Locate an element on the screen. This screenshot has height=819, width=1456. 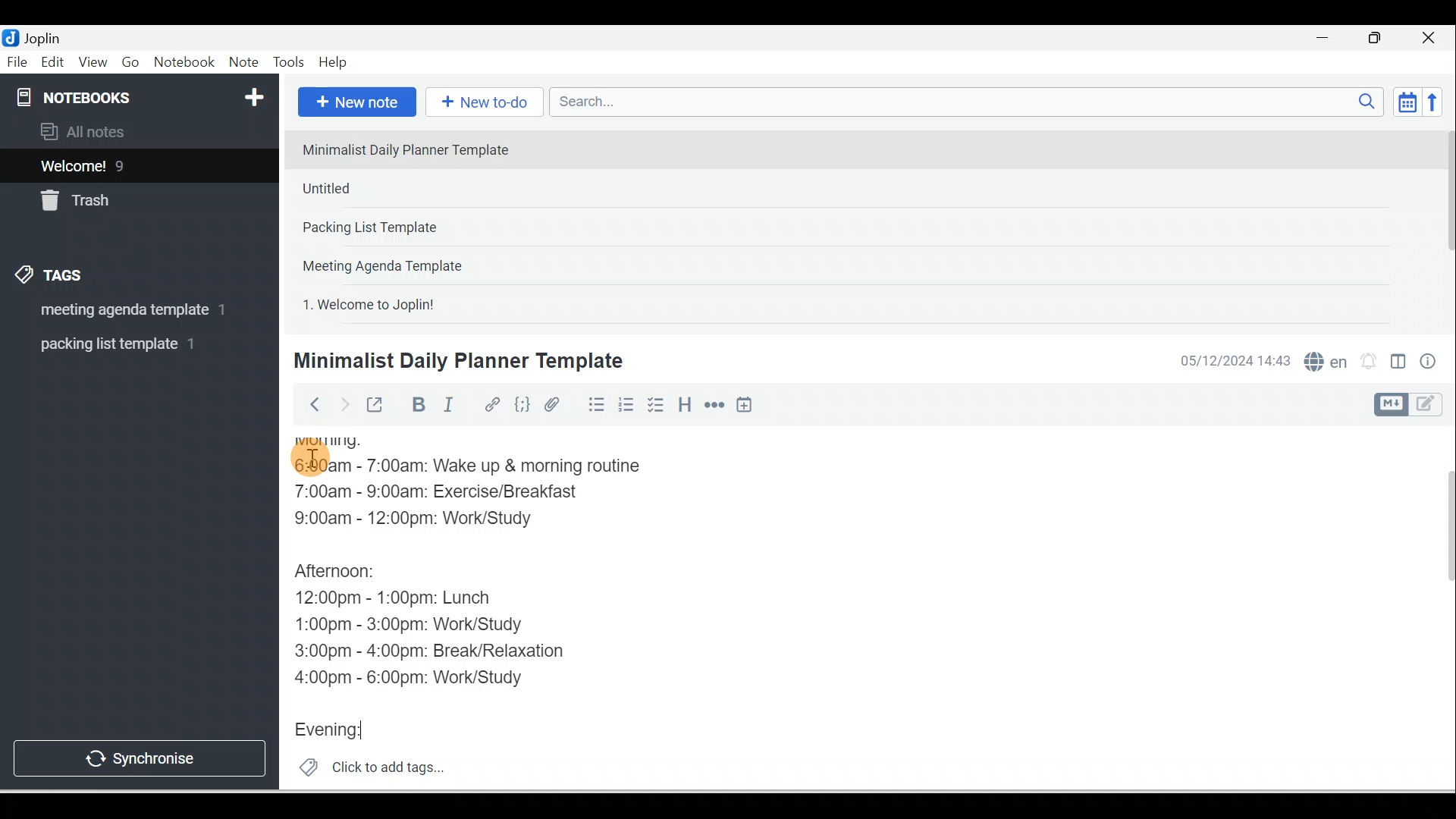
Reverse sort is located at coordinates (1437, 102).